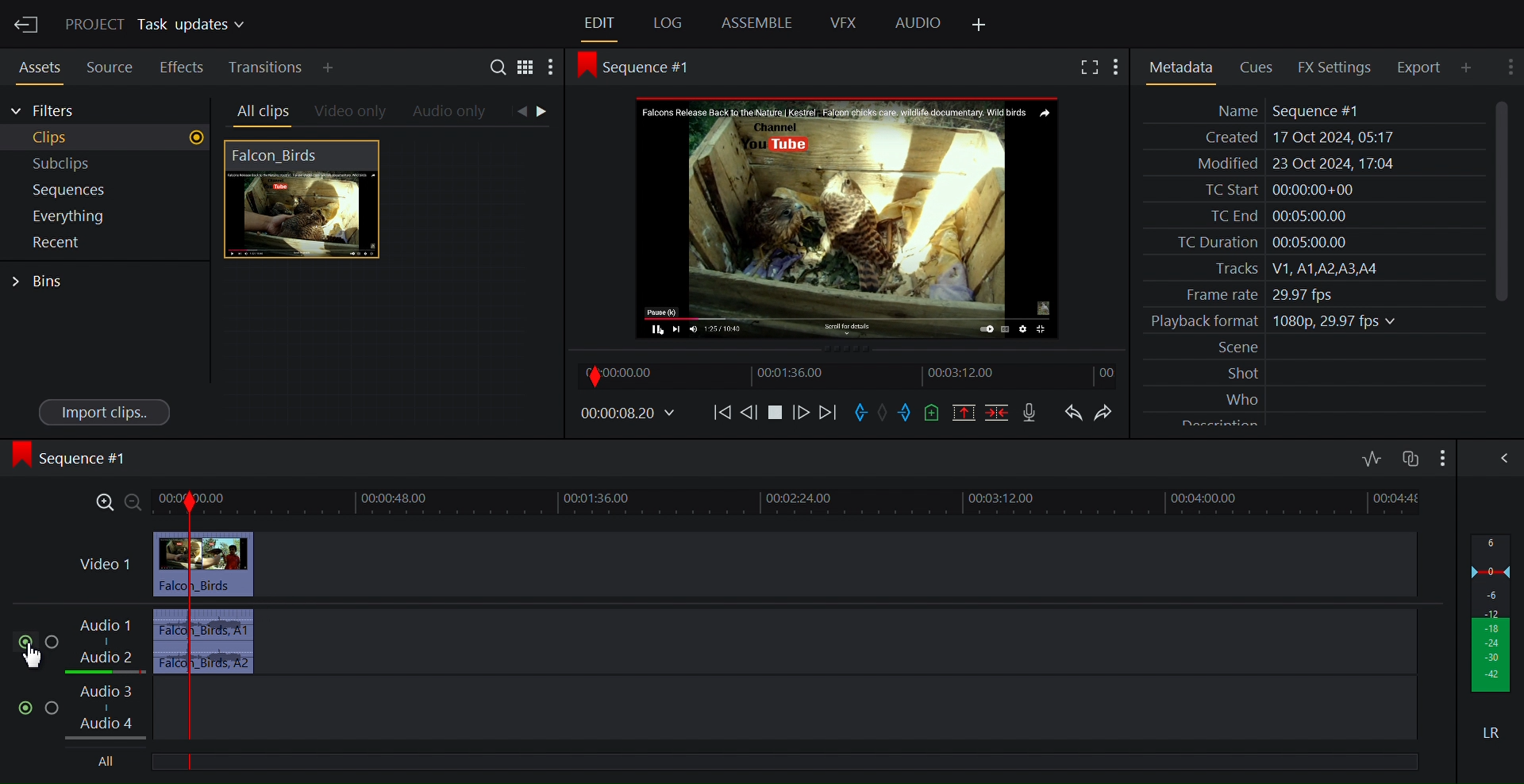 This screenshot has height=784, width=1524. Describe the element at coordinates (1508, 66) in the screenshot. I see `Show settings menu` at that location.